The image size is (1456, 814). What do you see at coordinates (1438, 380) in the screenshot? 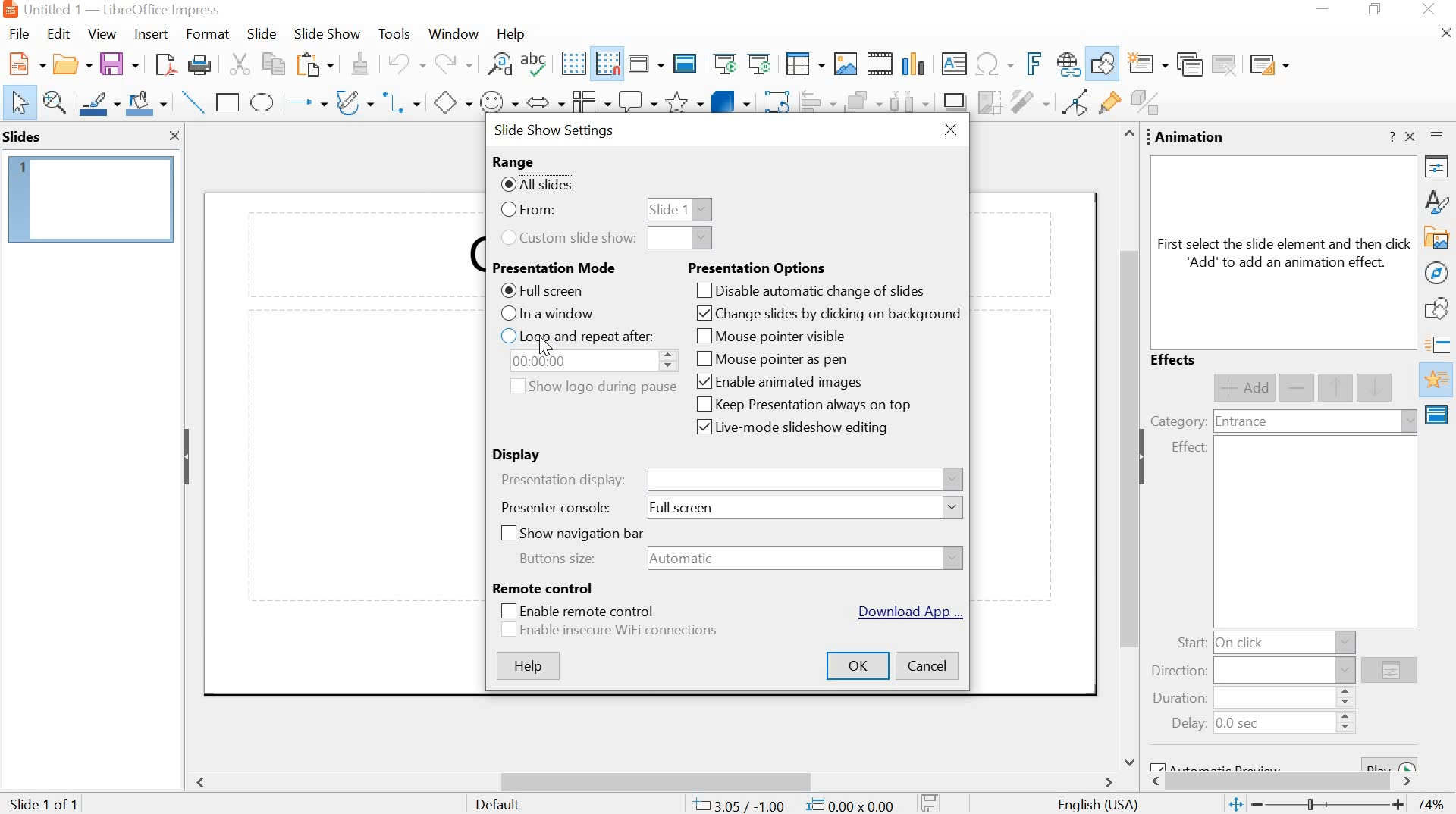
I see `animation` at bounding box center [1438, 380].